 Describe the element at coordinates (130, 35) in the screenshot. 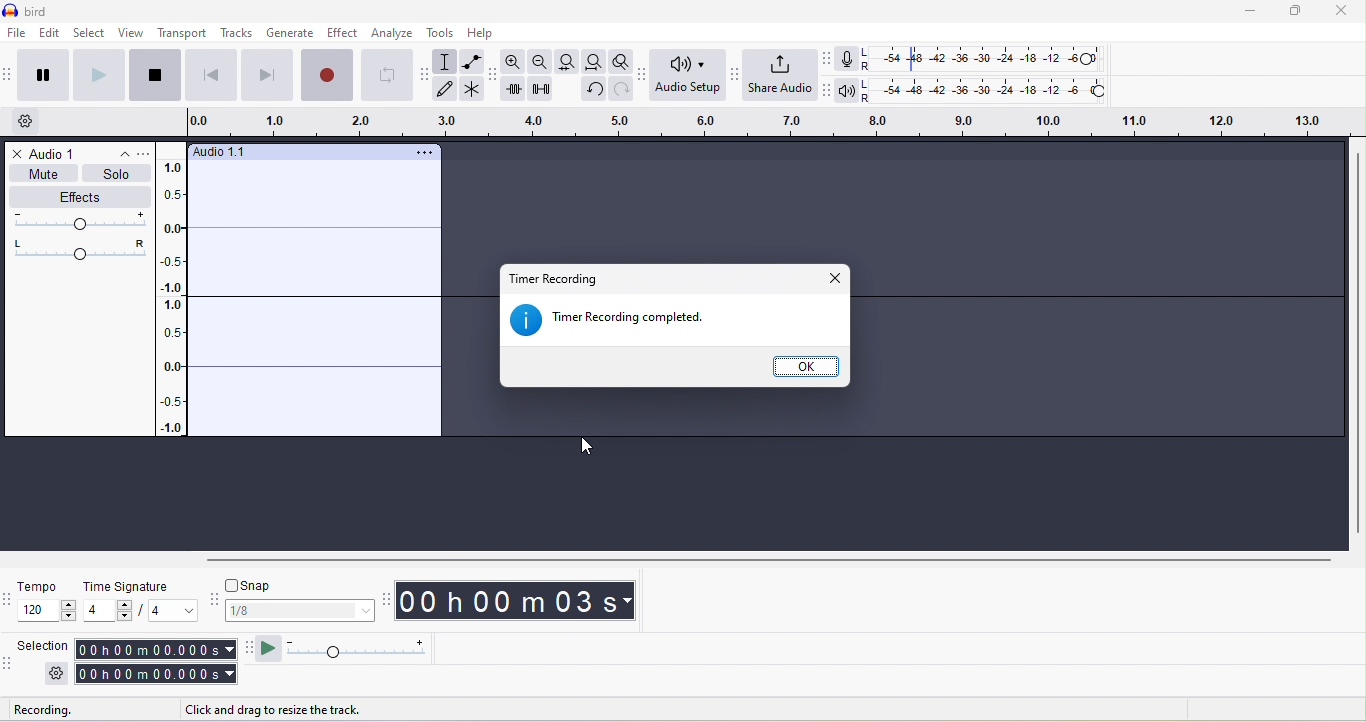

I see `view` at that location.